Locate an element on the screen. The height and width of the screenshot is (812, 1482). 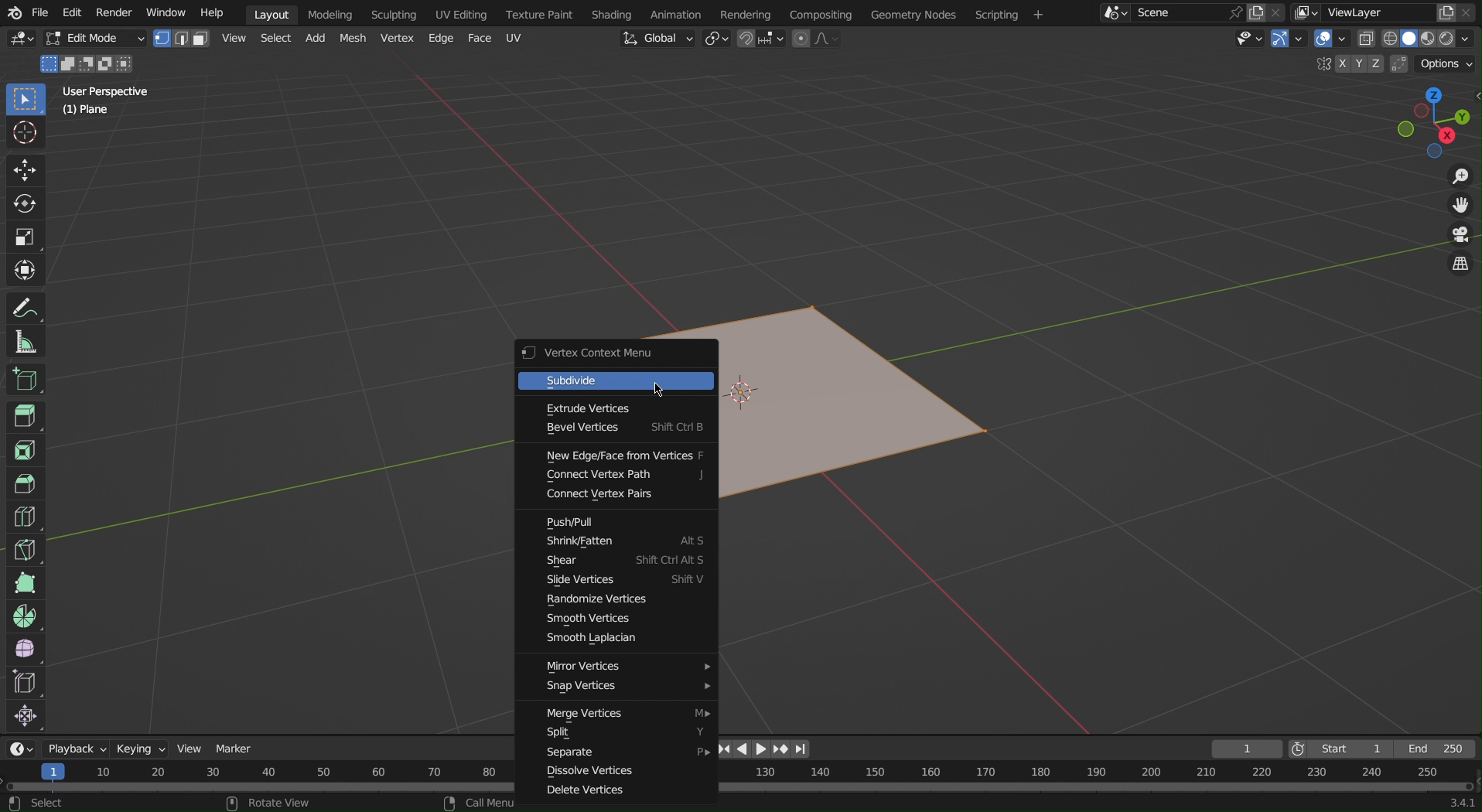
Layout is located at coordinates (271, 14).